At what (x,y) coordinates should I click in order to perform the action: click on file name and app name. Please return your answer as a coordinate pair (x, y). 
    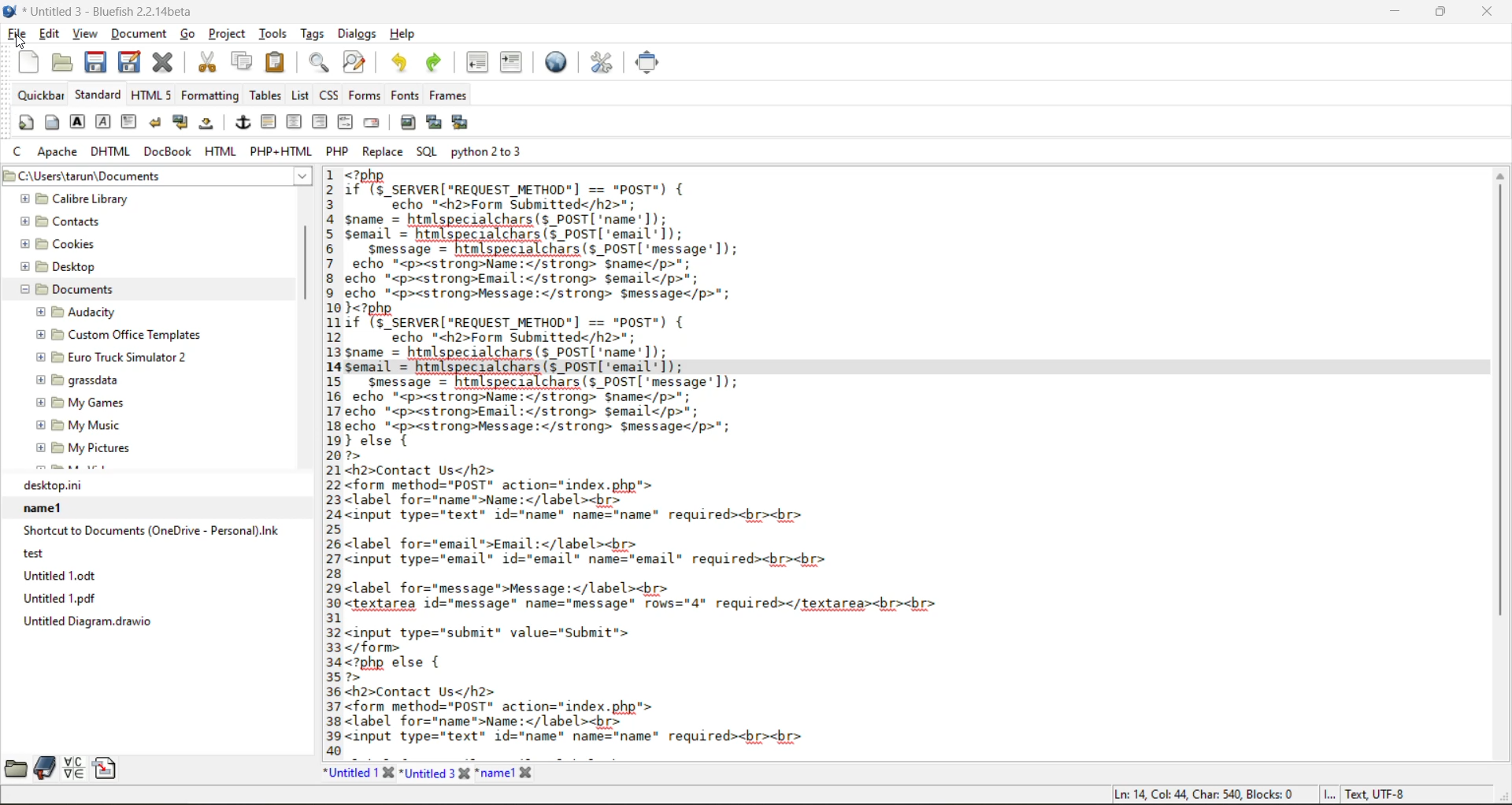
    Looking at the image, I should click on (103, 12).